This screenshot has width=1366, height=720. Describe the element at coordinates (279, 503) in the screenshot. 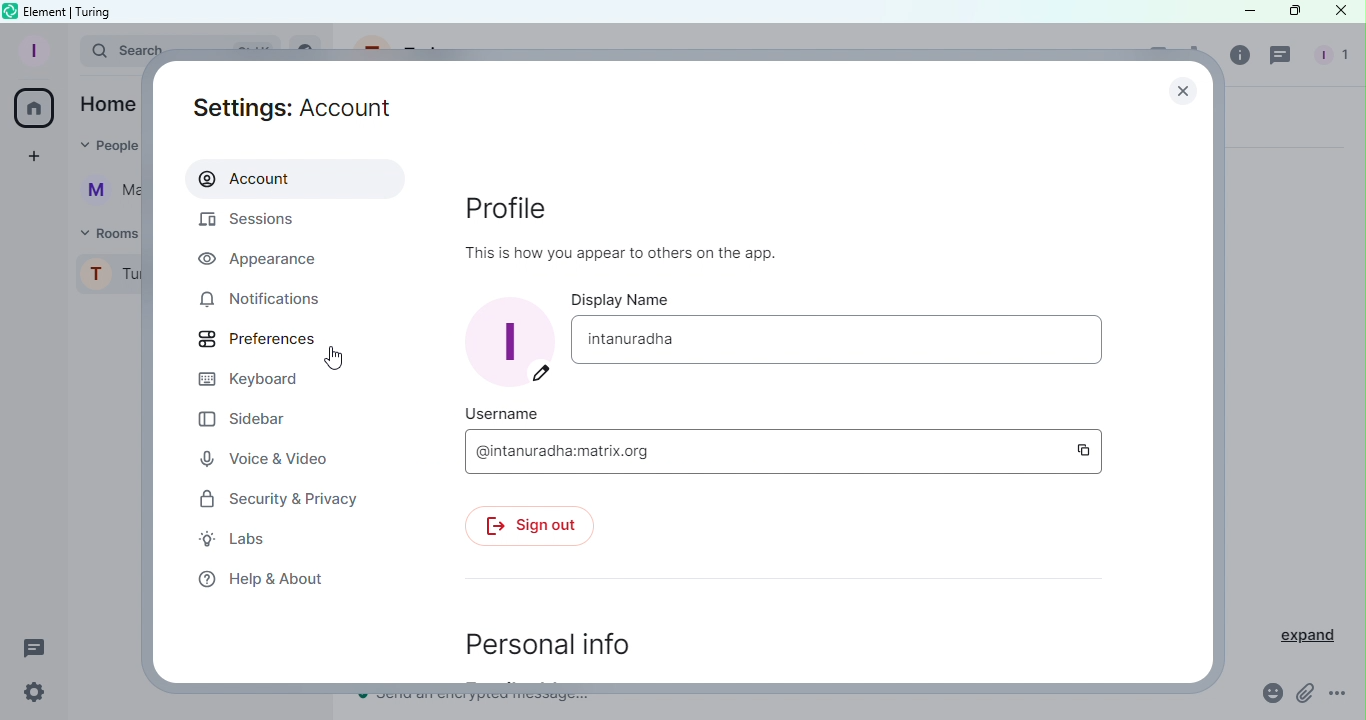

I see `Security and privacy` at that location.